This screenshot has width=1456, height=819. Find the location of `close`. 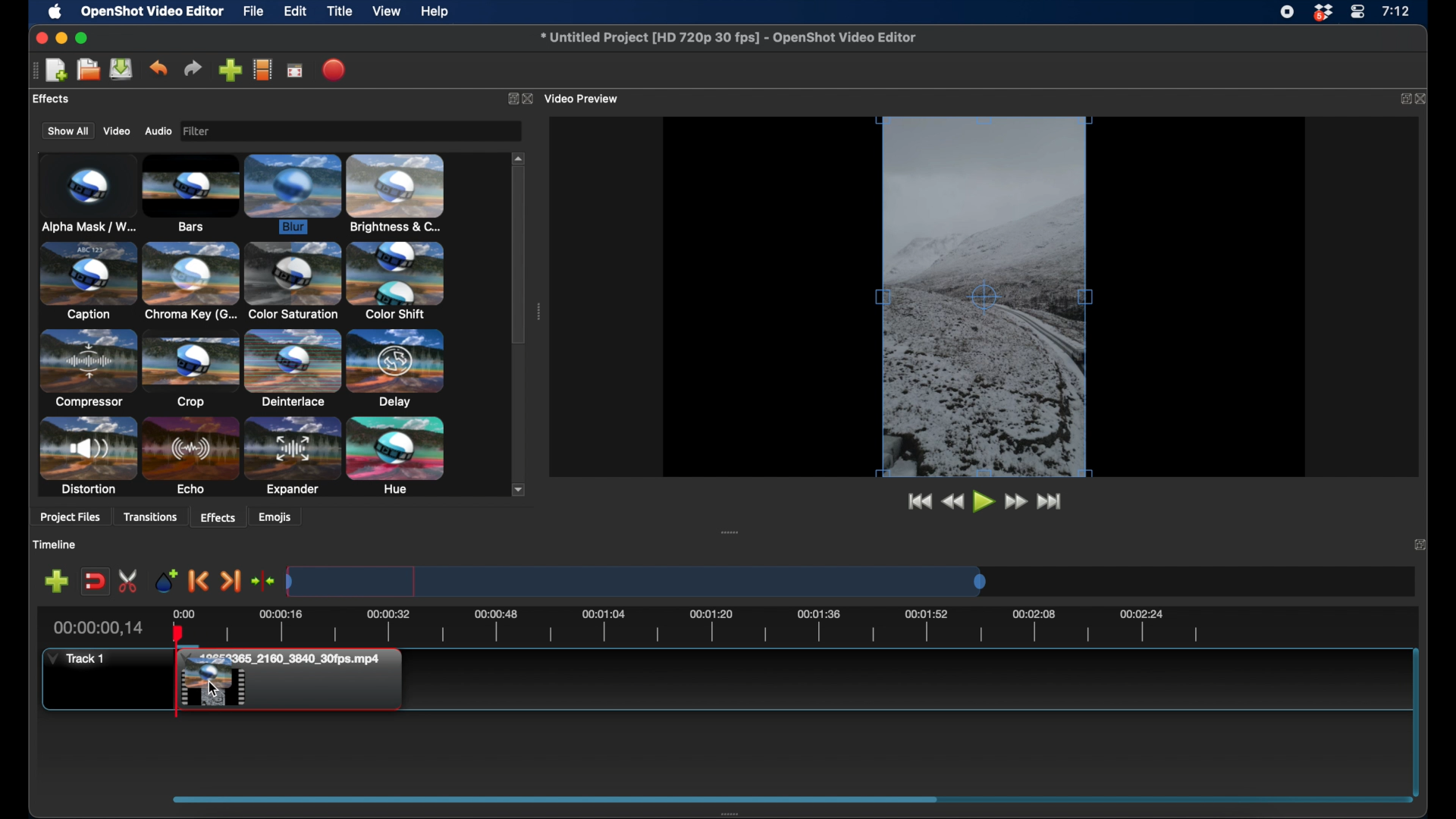

close is located at coordinates (1425, 99).